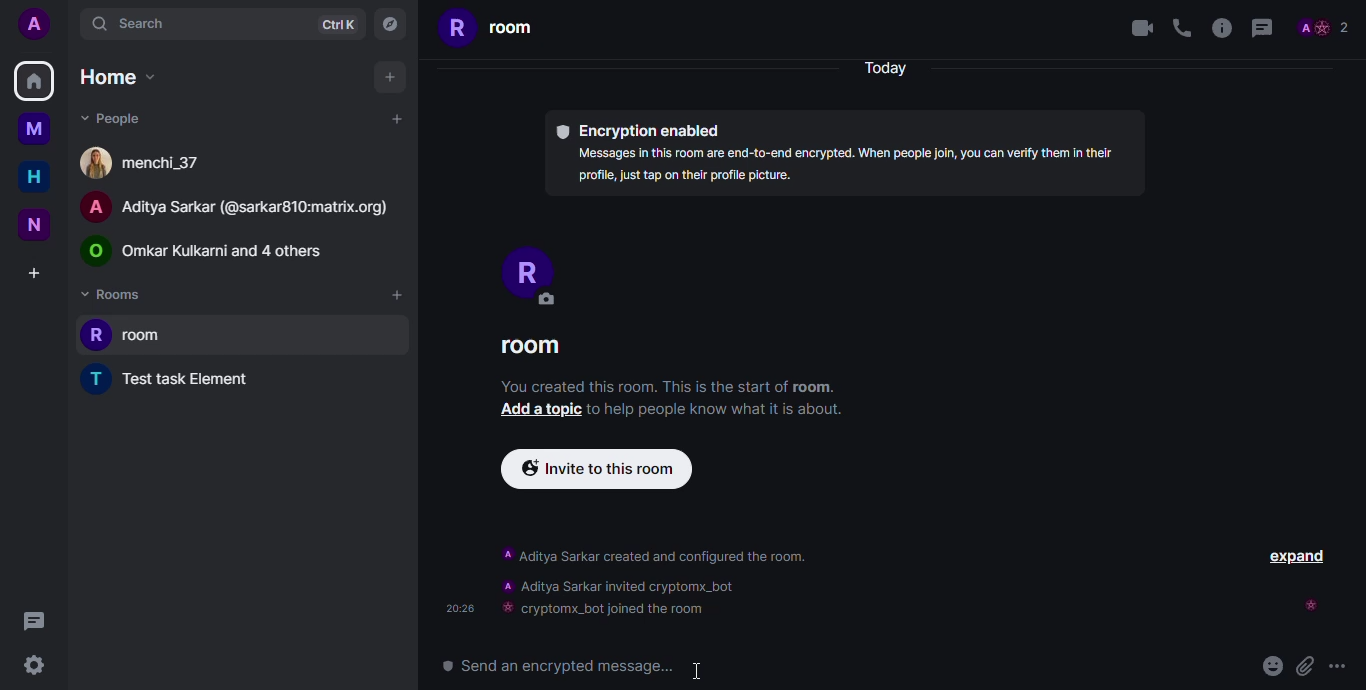 The image size is (1366, 690). Describe the element at coordinates (1137, 31) in the screenshot. I see `video call` at that location.